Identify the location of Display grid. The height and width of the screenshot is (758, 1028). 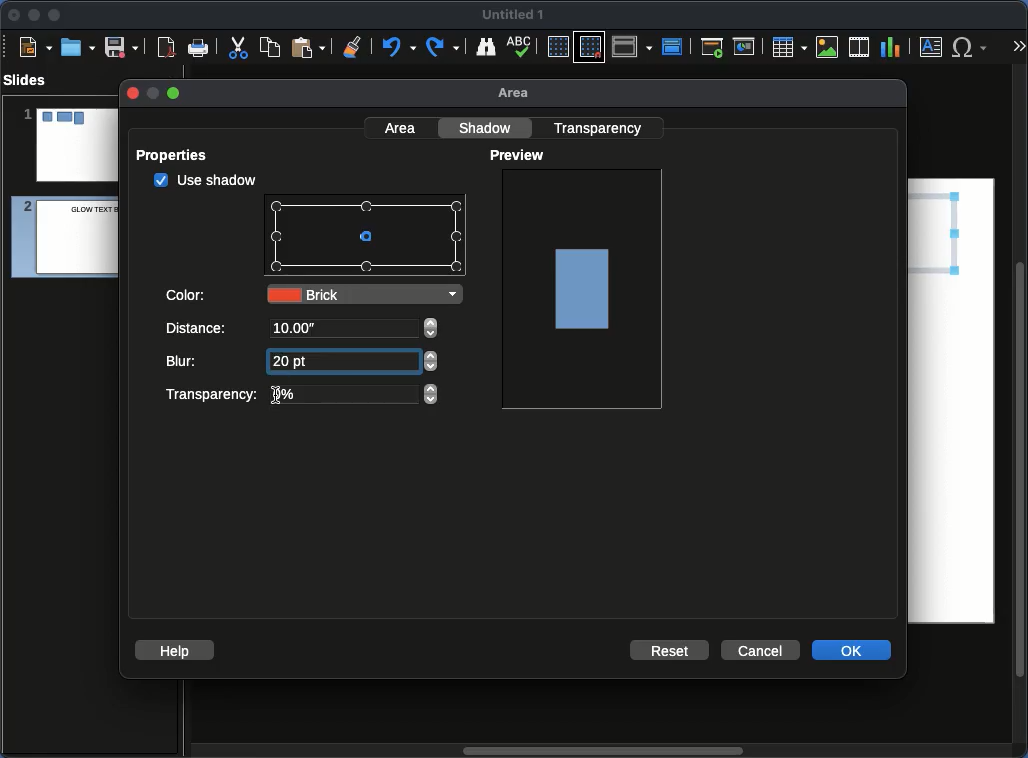
(557, 48).